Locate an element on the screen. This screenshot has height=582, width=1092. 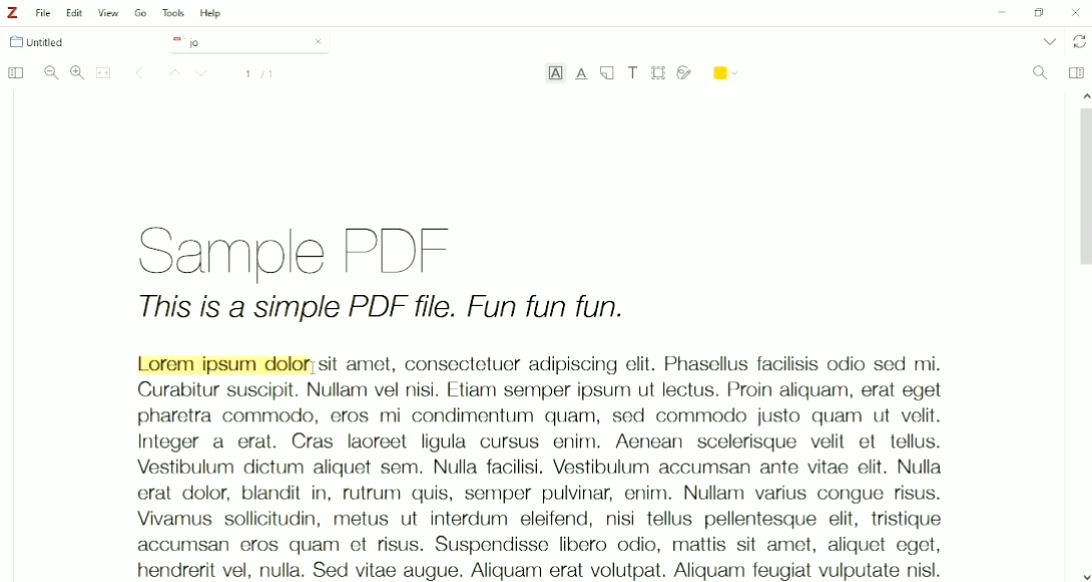
Down is located at coordinates (1085, 575).